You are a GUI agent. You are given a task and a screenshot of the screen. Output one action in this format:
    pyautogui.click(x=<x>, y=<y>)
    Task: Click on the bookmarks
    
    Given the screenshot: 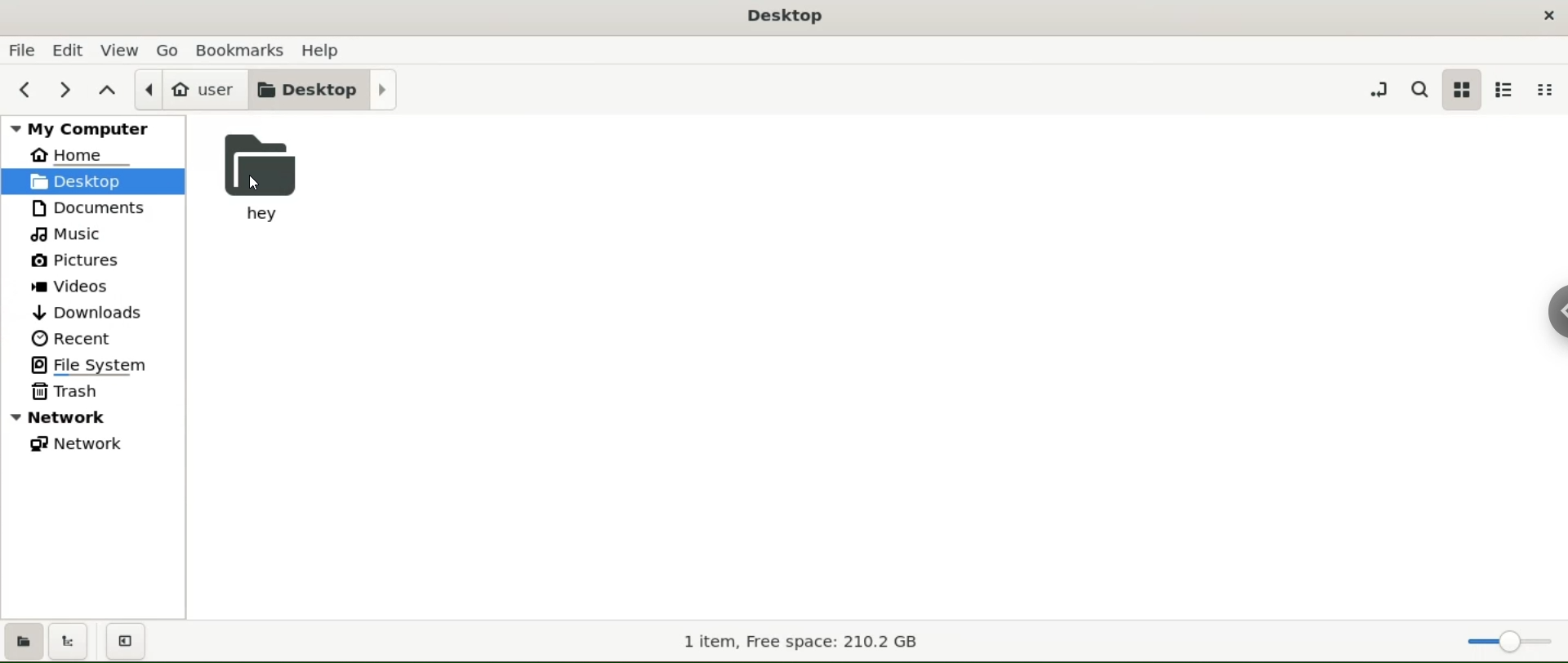 What is the action you would take?
    pyautogui.click(x=243, y=49)
    